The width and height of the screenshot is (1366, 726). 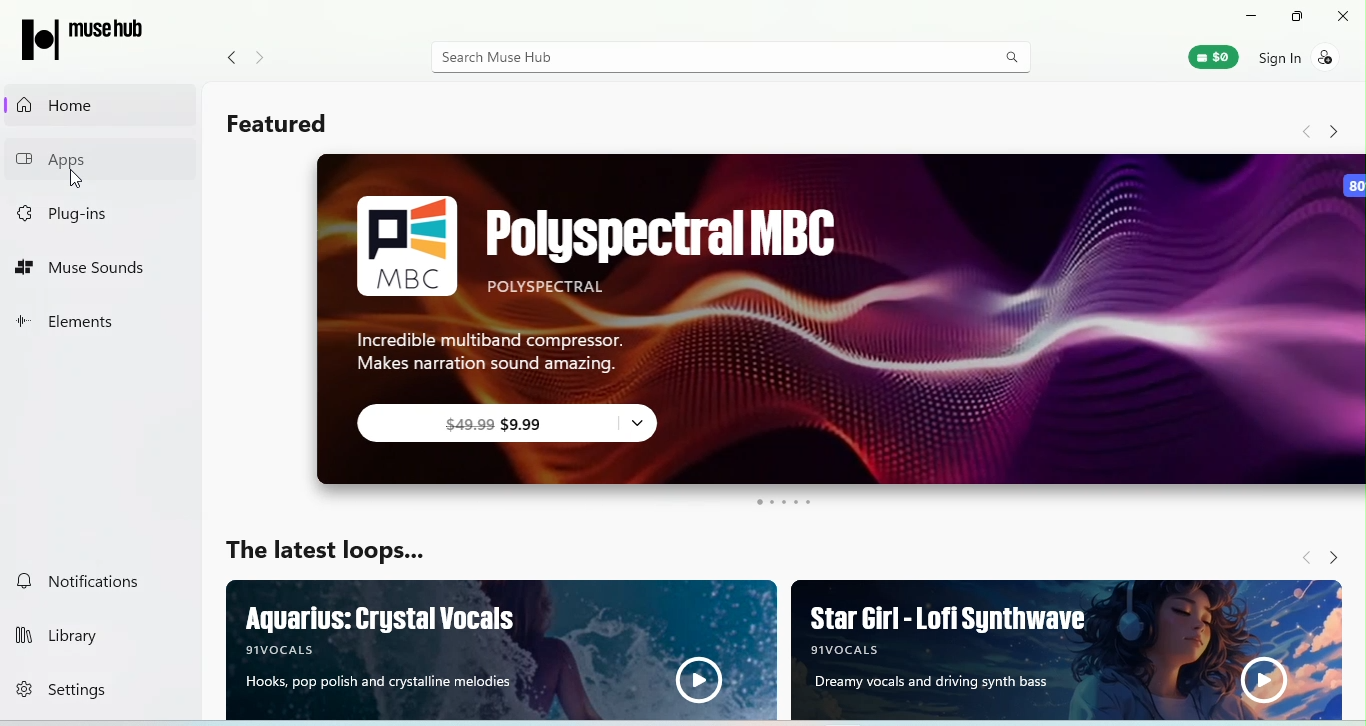 What do you see at coordinates (1067, 649) in the screenshot?
I see `Star 6irl - Lofi Synthwave 91vOCALS Dreamy vocals and driving synth bass.` at bounding box center [1067, 649].